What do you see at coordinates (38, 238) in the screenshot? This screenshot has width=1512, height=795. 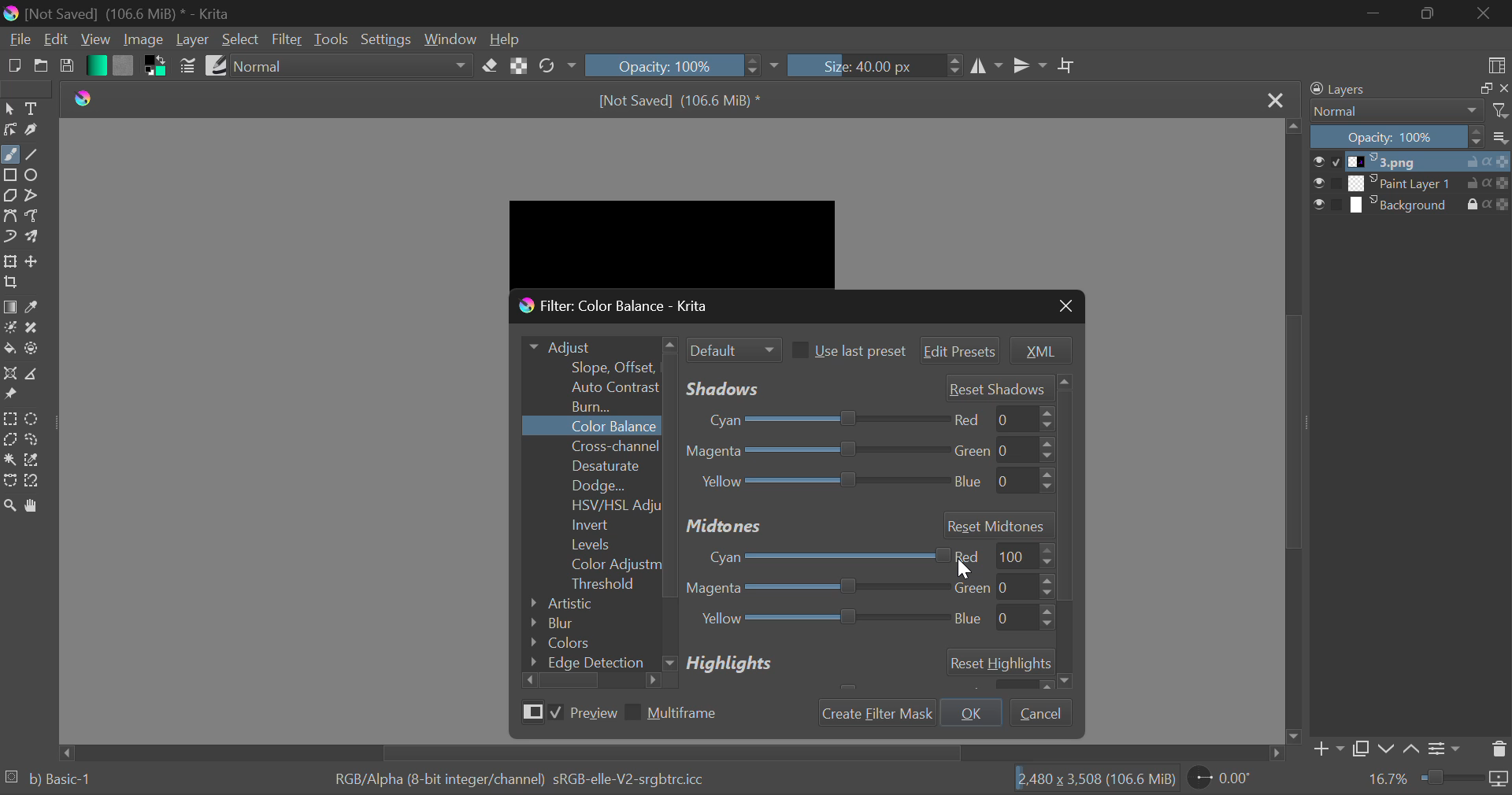 I see `Multibrush Tool` at bounding box center [38, 238].